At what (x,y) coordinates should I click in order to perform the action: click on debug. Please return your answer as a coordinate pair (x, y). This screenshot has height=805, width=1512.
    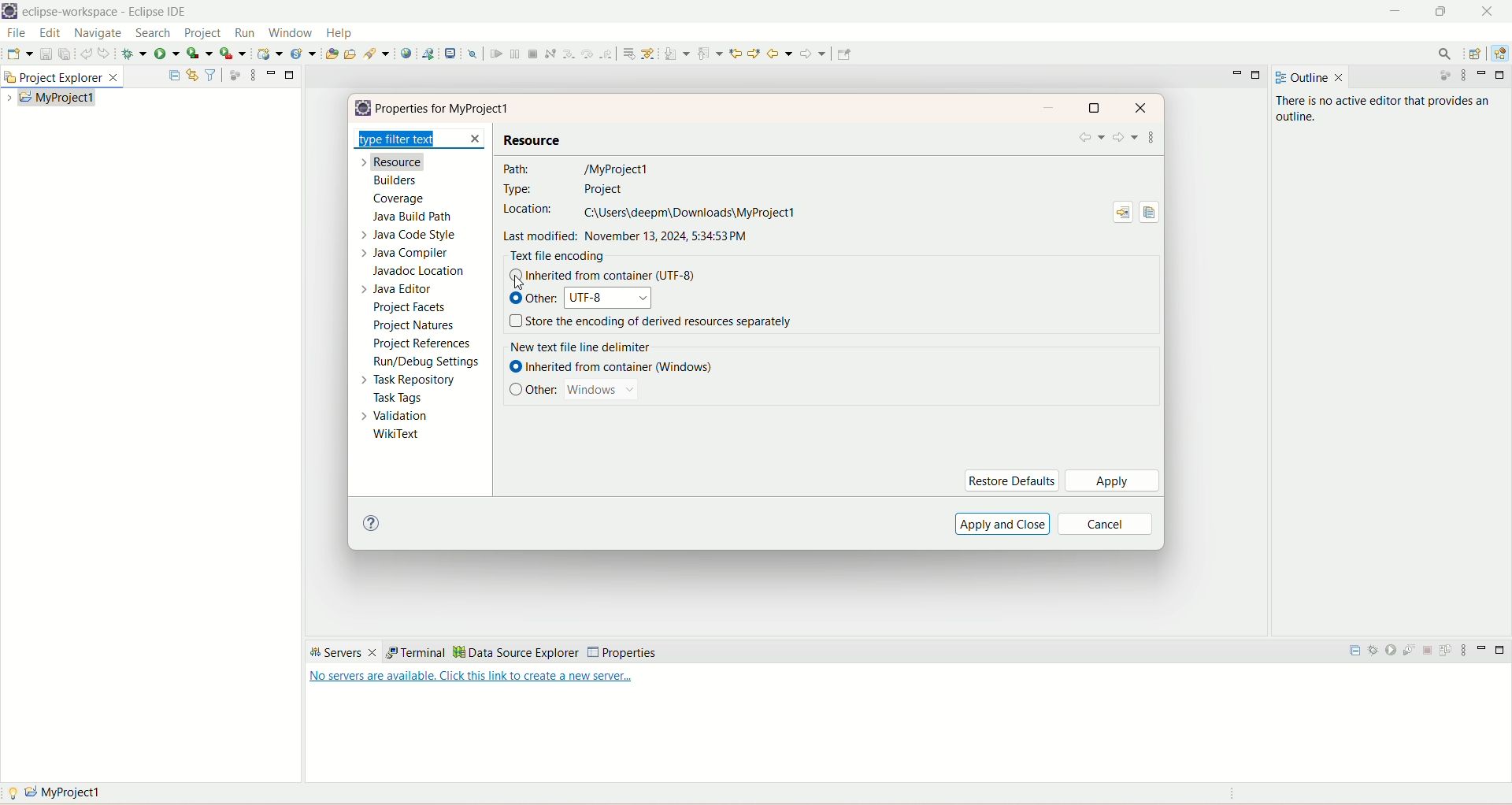
    Looking at the image, I should click on (135, 54).